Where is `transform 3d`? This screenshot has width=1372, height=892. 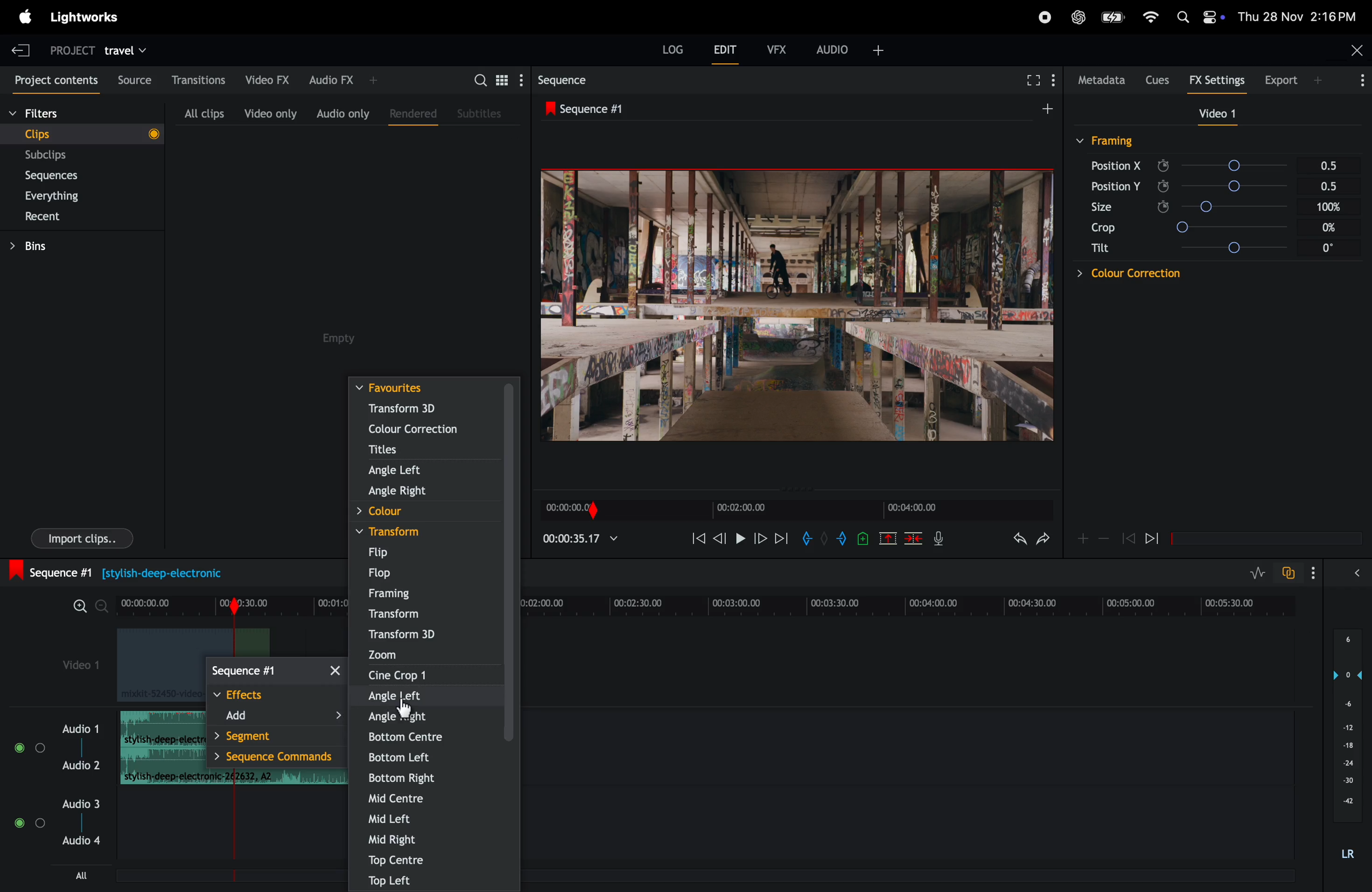
transform 3d is located at coordinates (427, 636).